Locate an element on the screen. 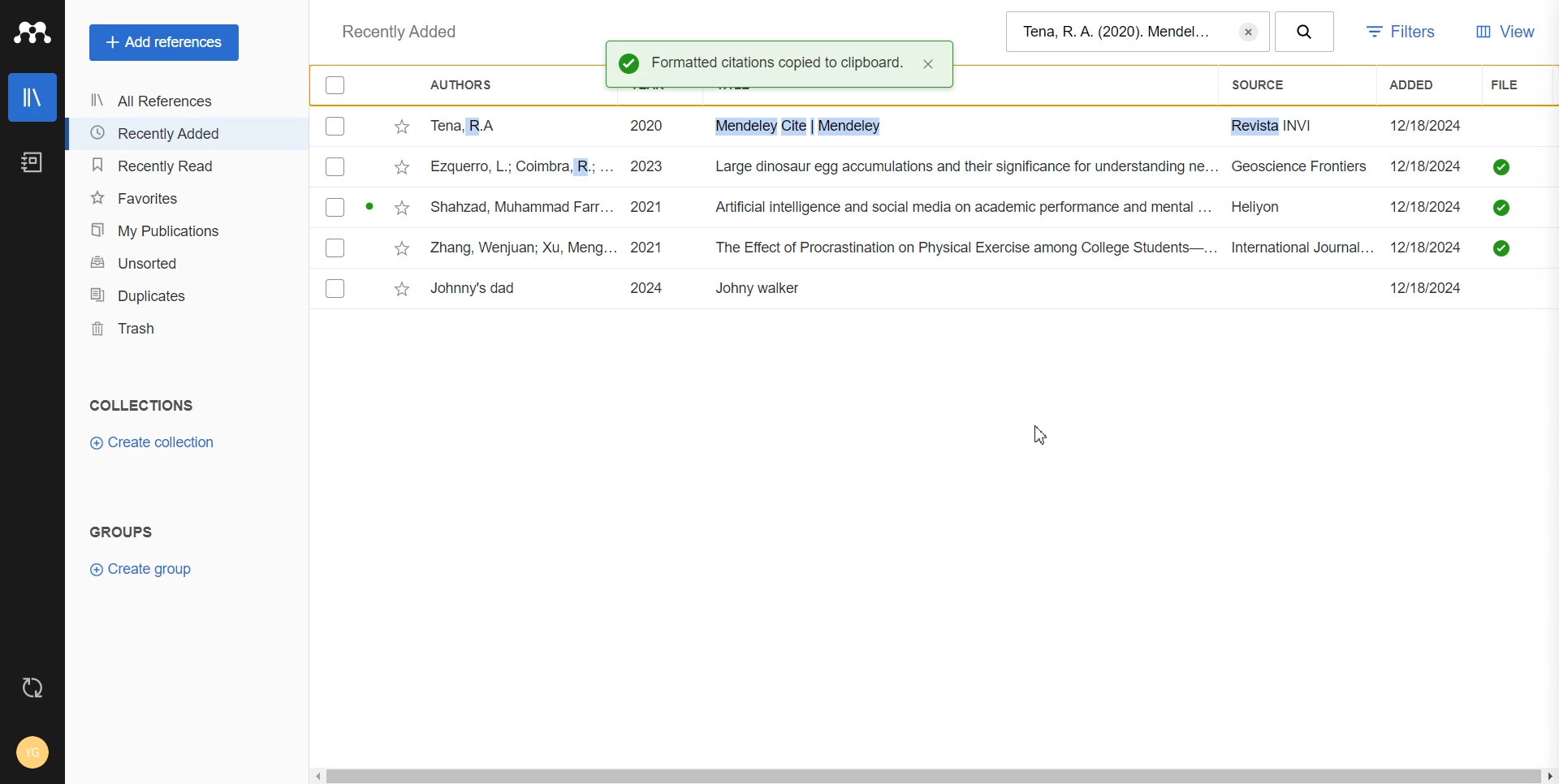  Tena, RA 2020 i. Mendeley Cite | Mendeley Revista INVI is located at coordinates (892, 129).